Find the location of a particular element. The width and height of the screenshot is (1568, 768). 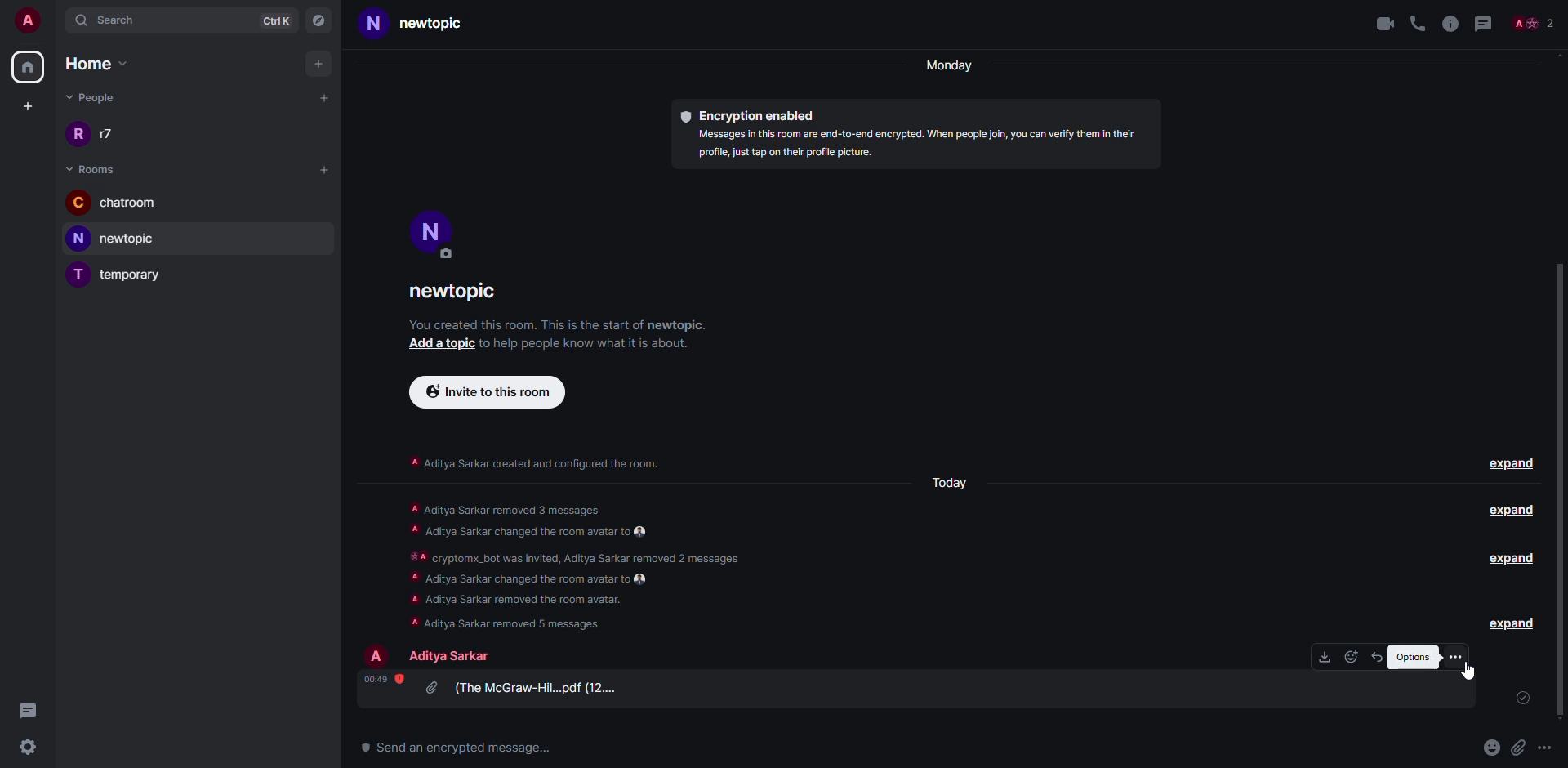

room is located at coordinates (96, 167).